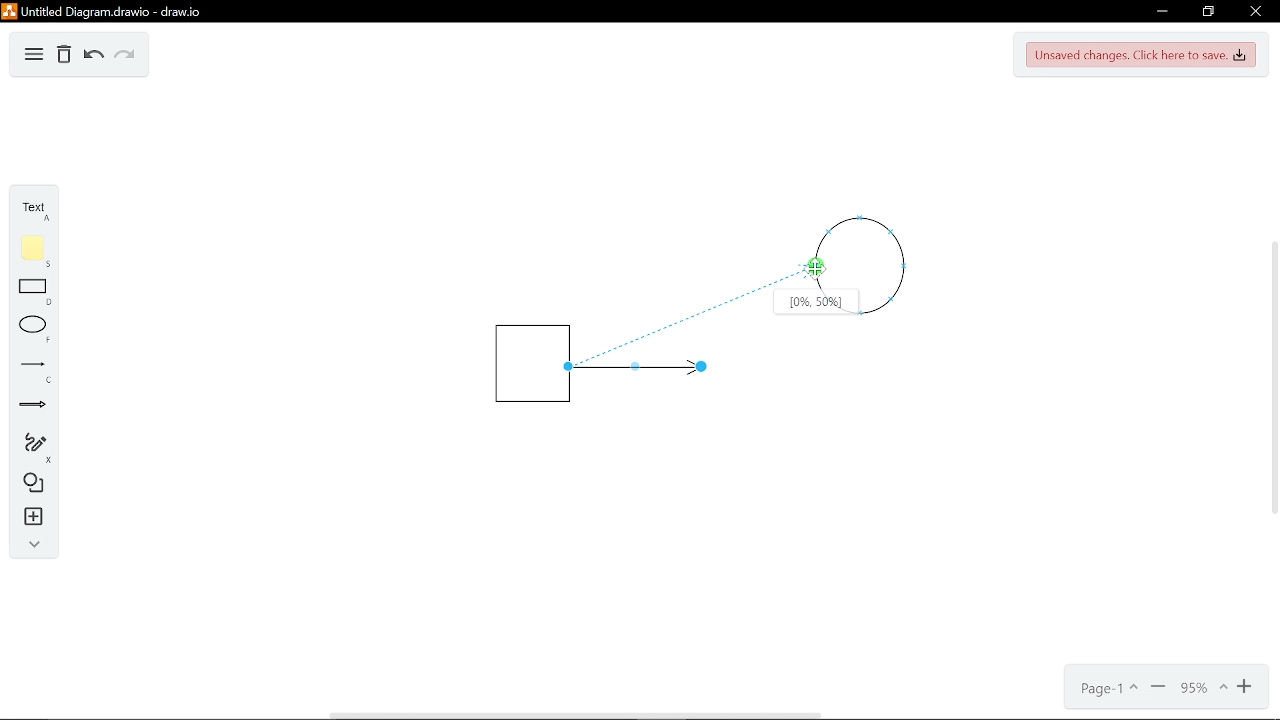 This screenshot has height=720, width=1280. I want to click on Current zoom, so click(1206, 686).